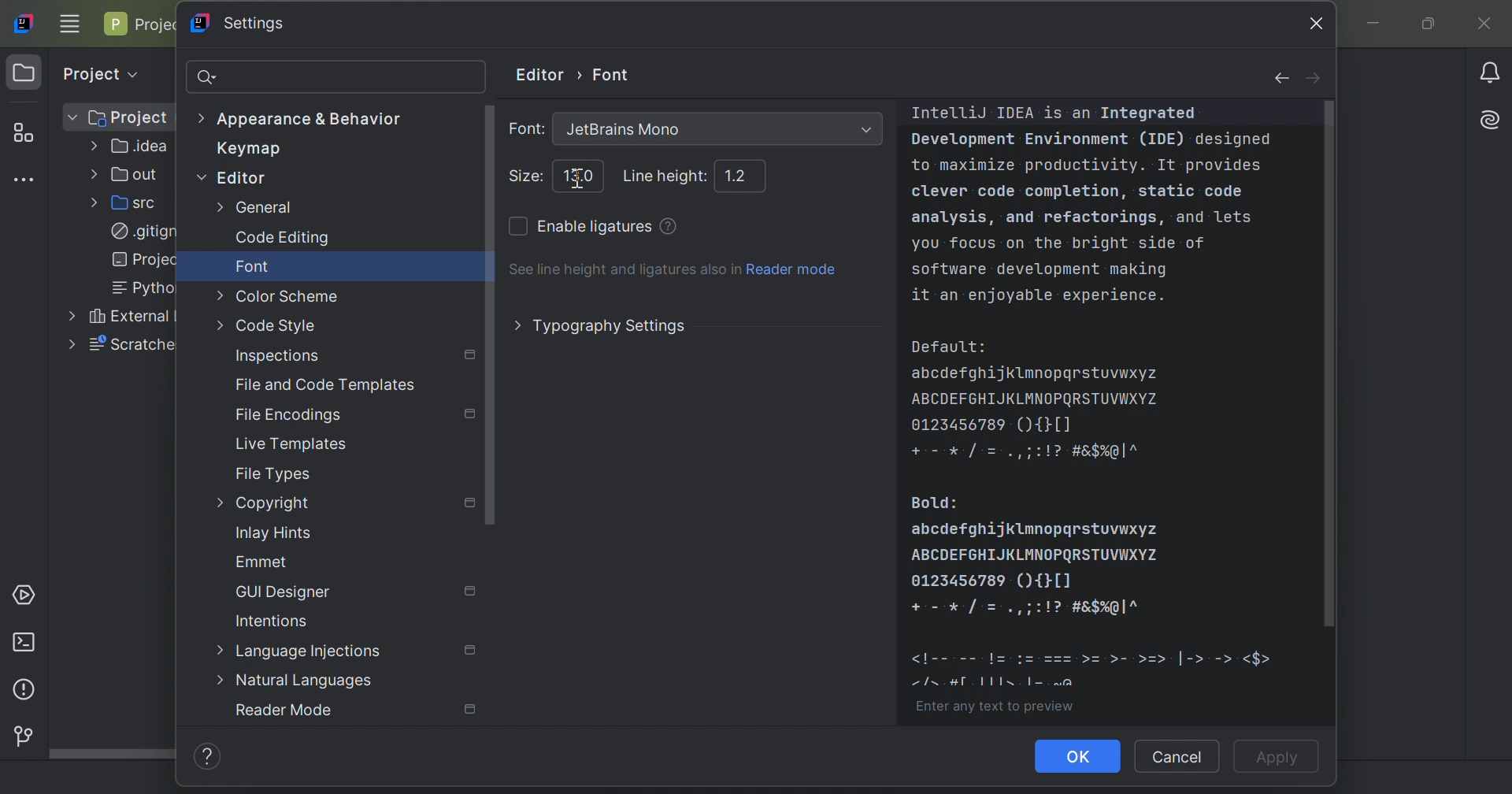 This screenshot has width=1512, height=794. What do you see at coordinates (1493, 117) in the screenshot?
I see `AI Assistant` at bounding box center [1493, 117].